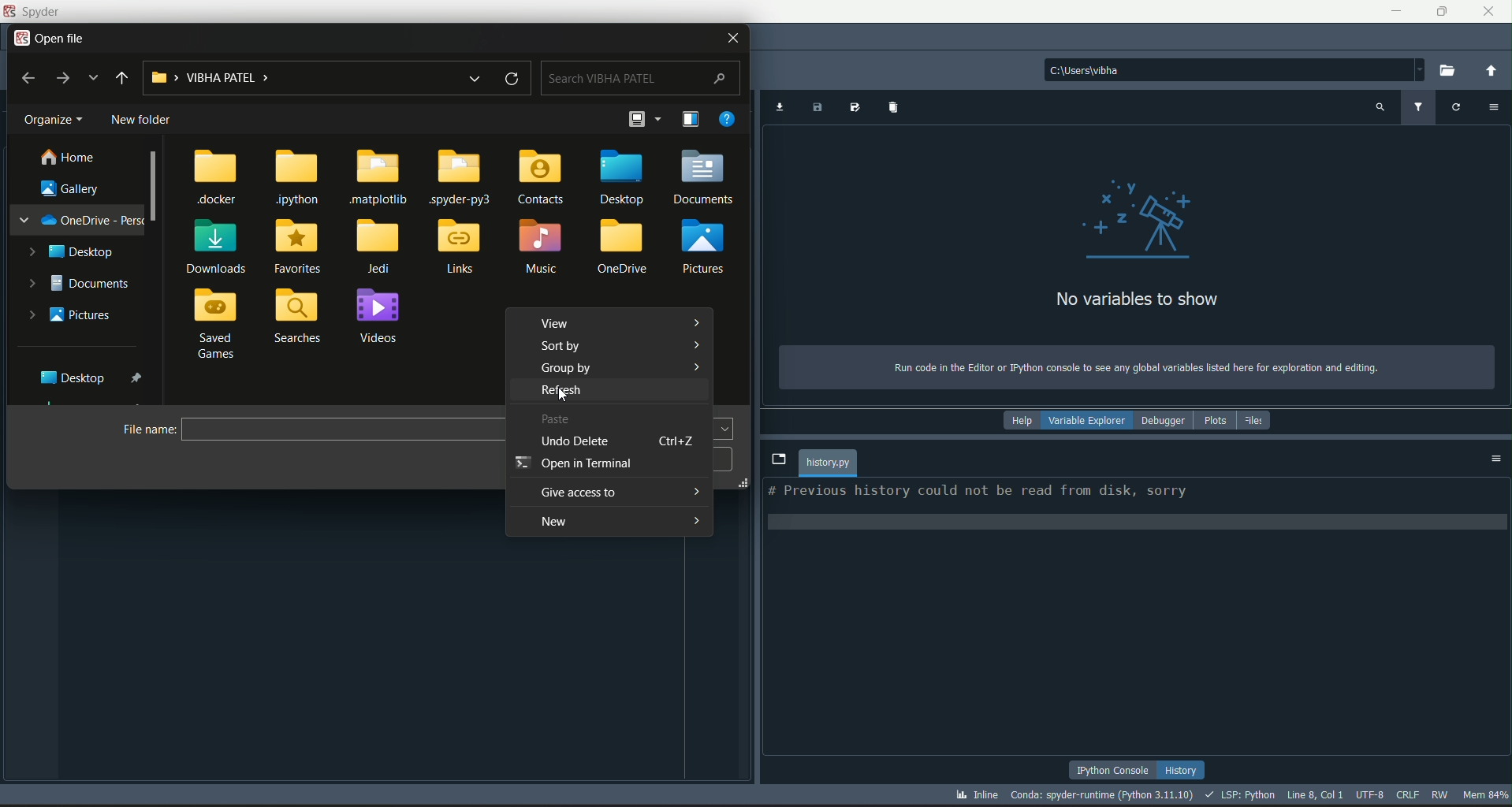 This screenshot has height=807, width=1512. I want to click on text, so click(1127, 367).